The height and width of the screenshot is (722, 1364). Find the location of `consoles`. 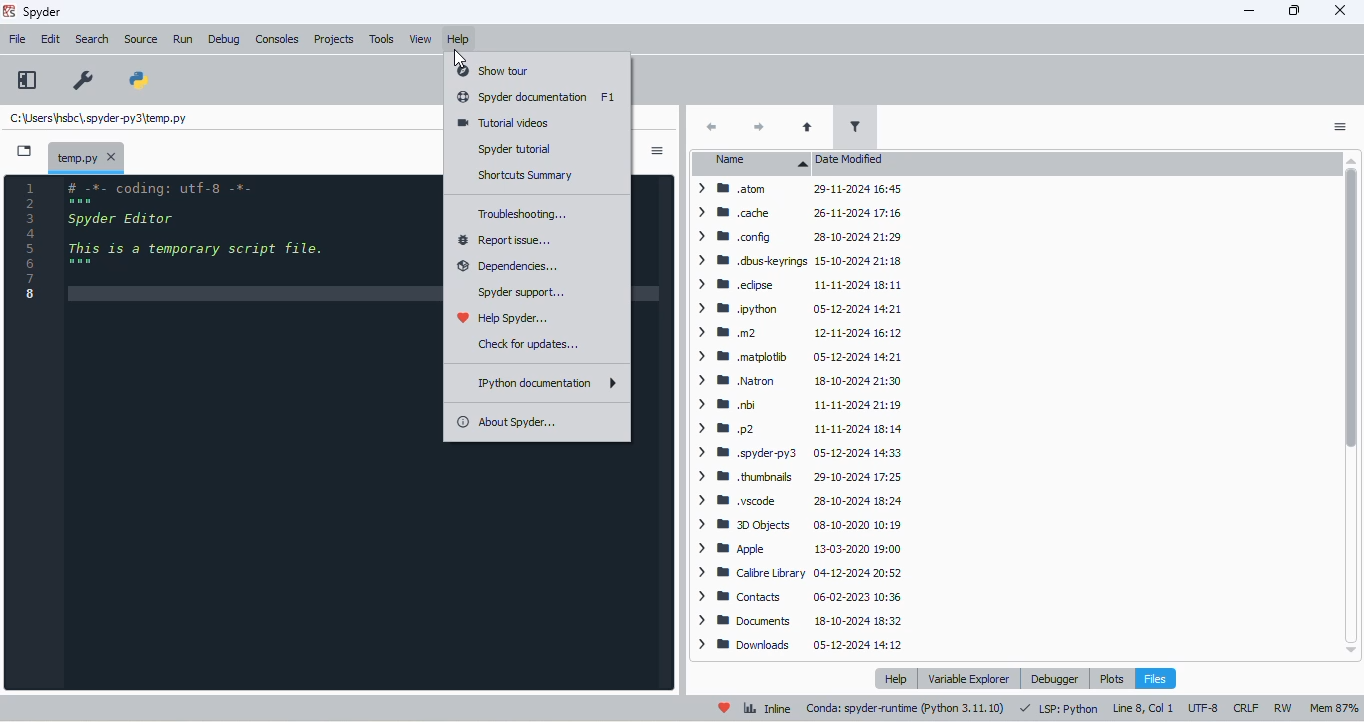

consoles is located at coordinates (278, 39).